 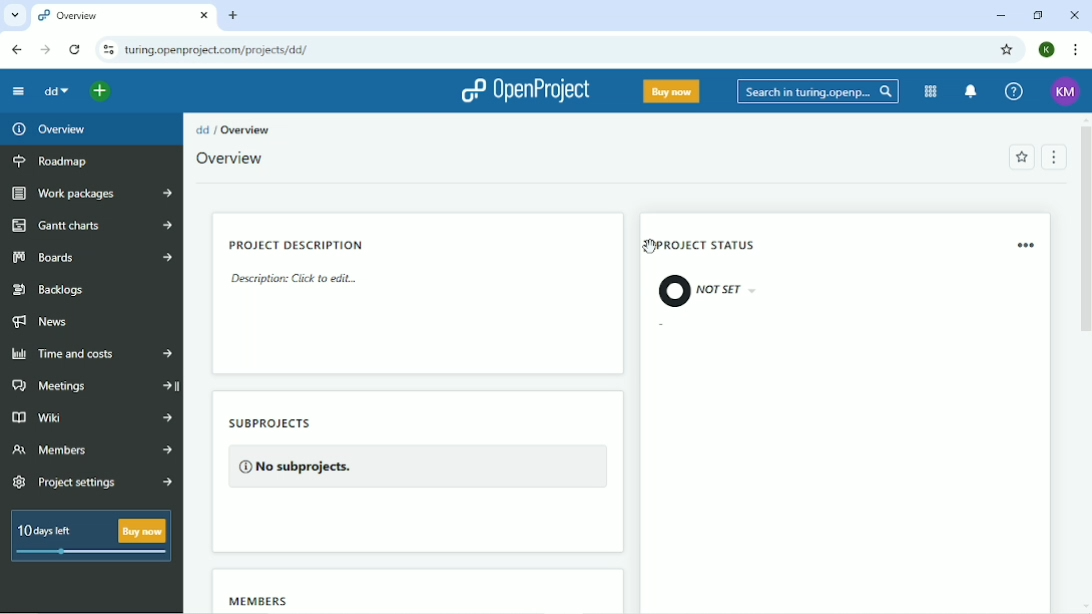 I want to click on Add to favorites, so click(x=1022, y=158).